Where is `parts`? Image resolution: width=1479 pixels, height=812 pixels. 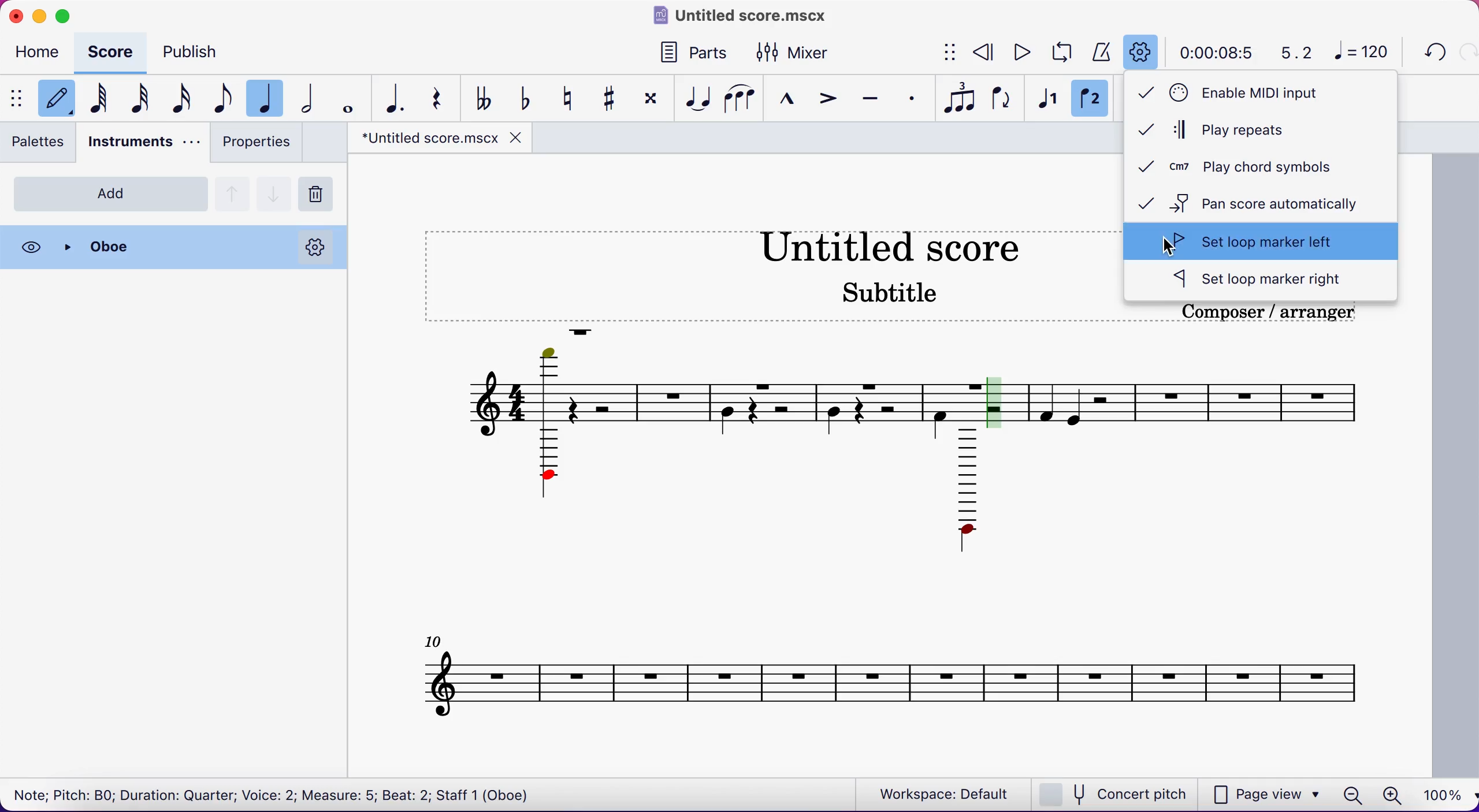 parts is located at coordinates (690, 50).